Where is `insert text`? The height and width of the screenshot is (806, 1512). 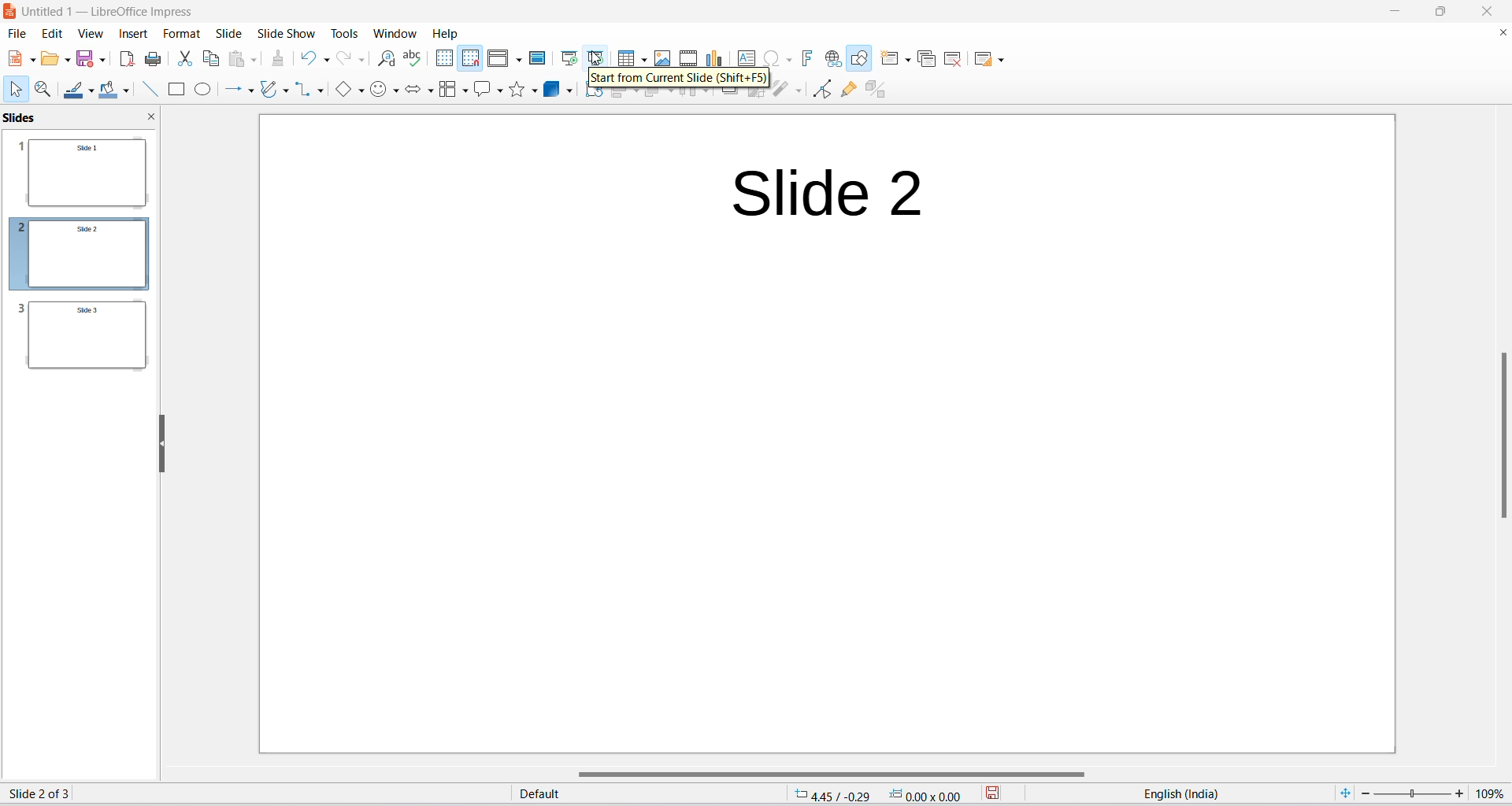 insert text is located at coordinates (749, 57).